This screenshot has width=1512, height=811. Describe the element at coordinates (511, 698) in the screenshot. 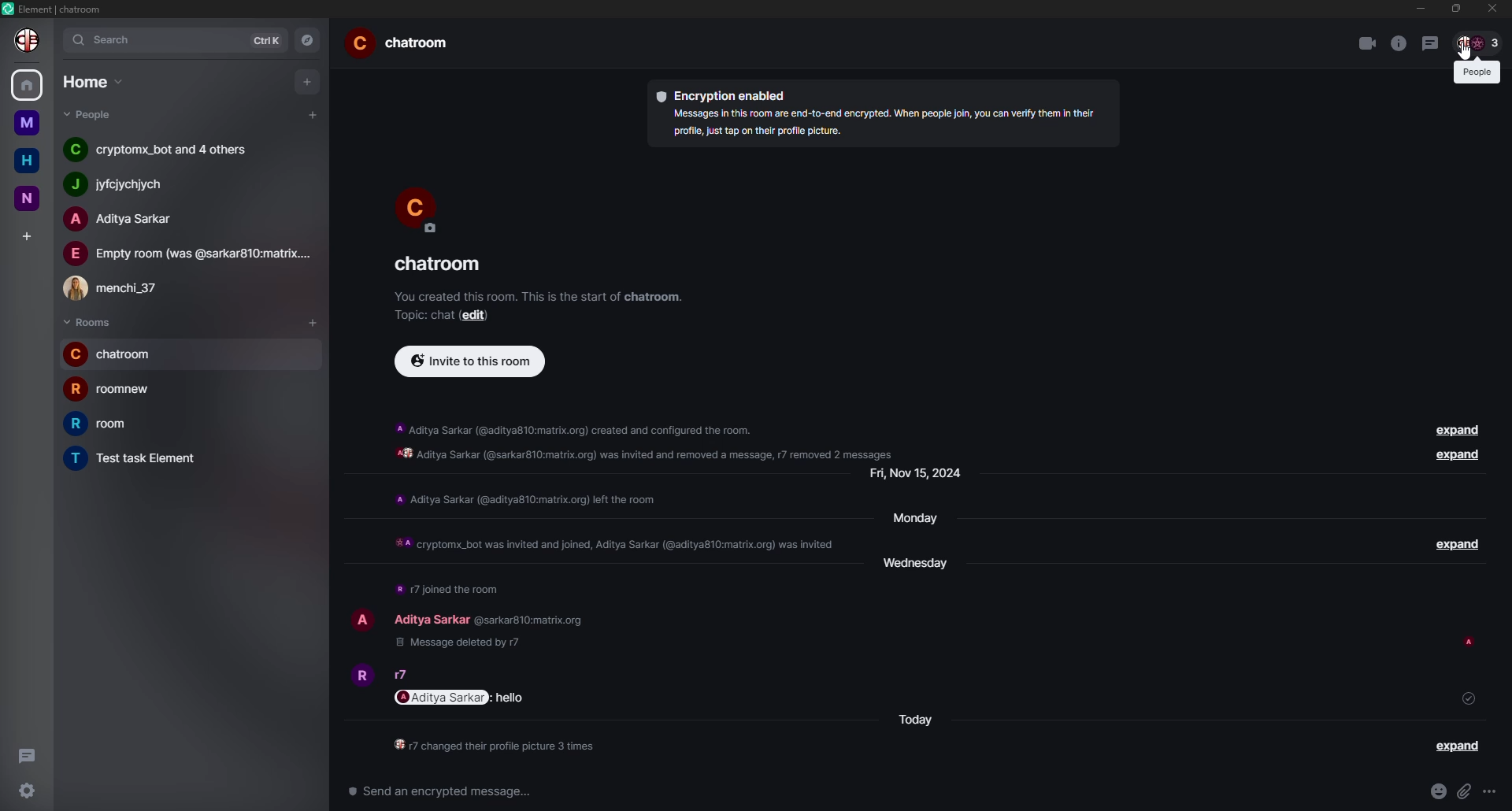

I see `message` at that location.